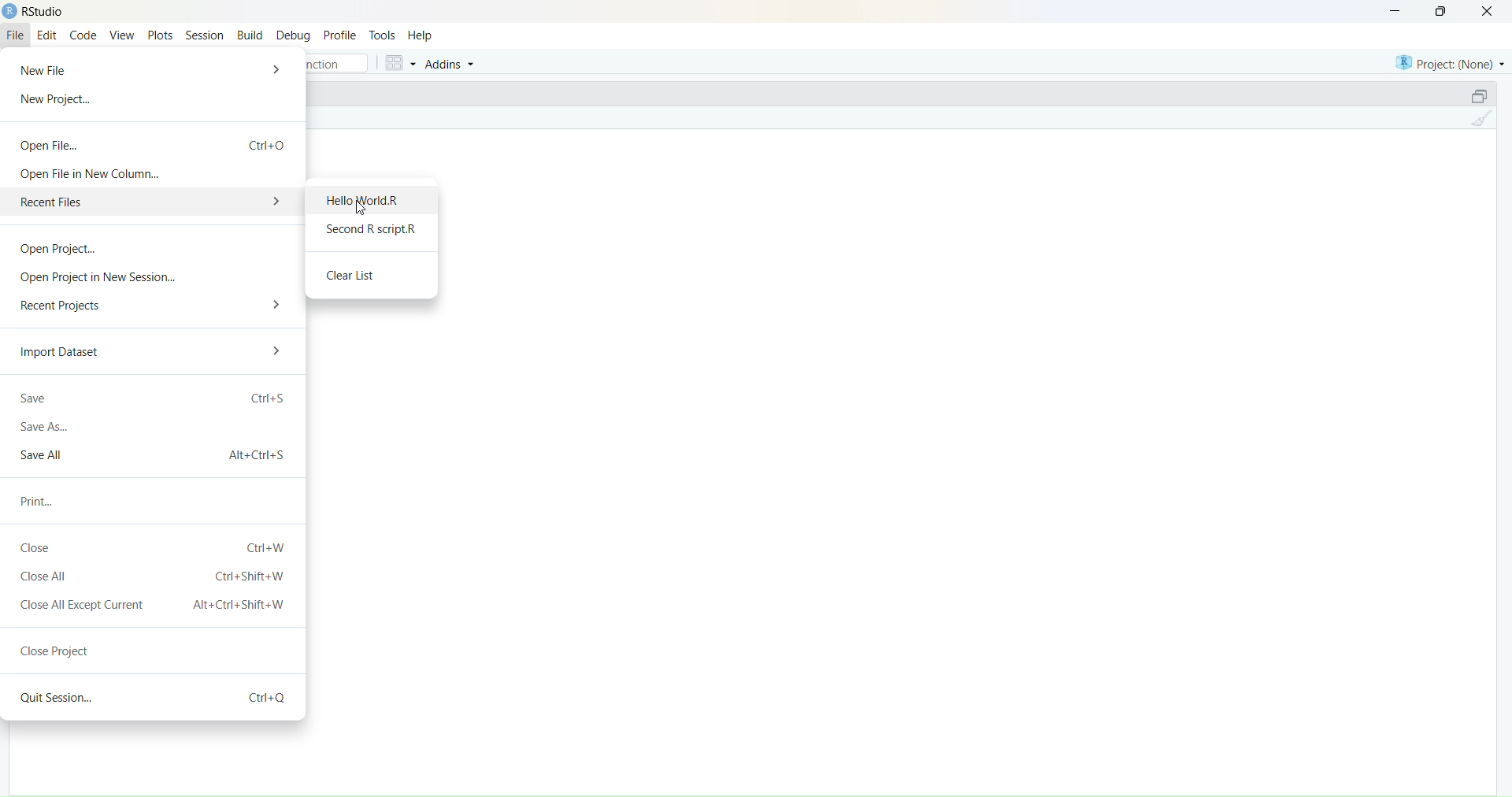  Describe the element at coordinates (204, 34) in the screenshot. I see `Session` at that location.